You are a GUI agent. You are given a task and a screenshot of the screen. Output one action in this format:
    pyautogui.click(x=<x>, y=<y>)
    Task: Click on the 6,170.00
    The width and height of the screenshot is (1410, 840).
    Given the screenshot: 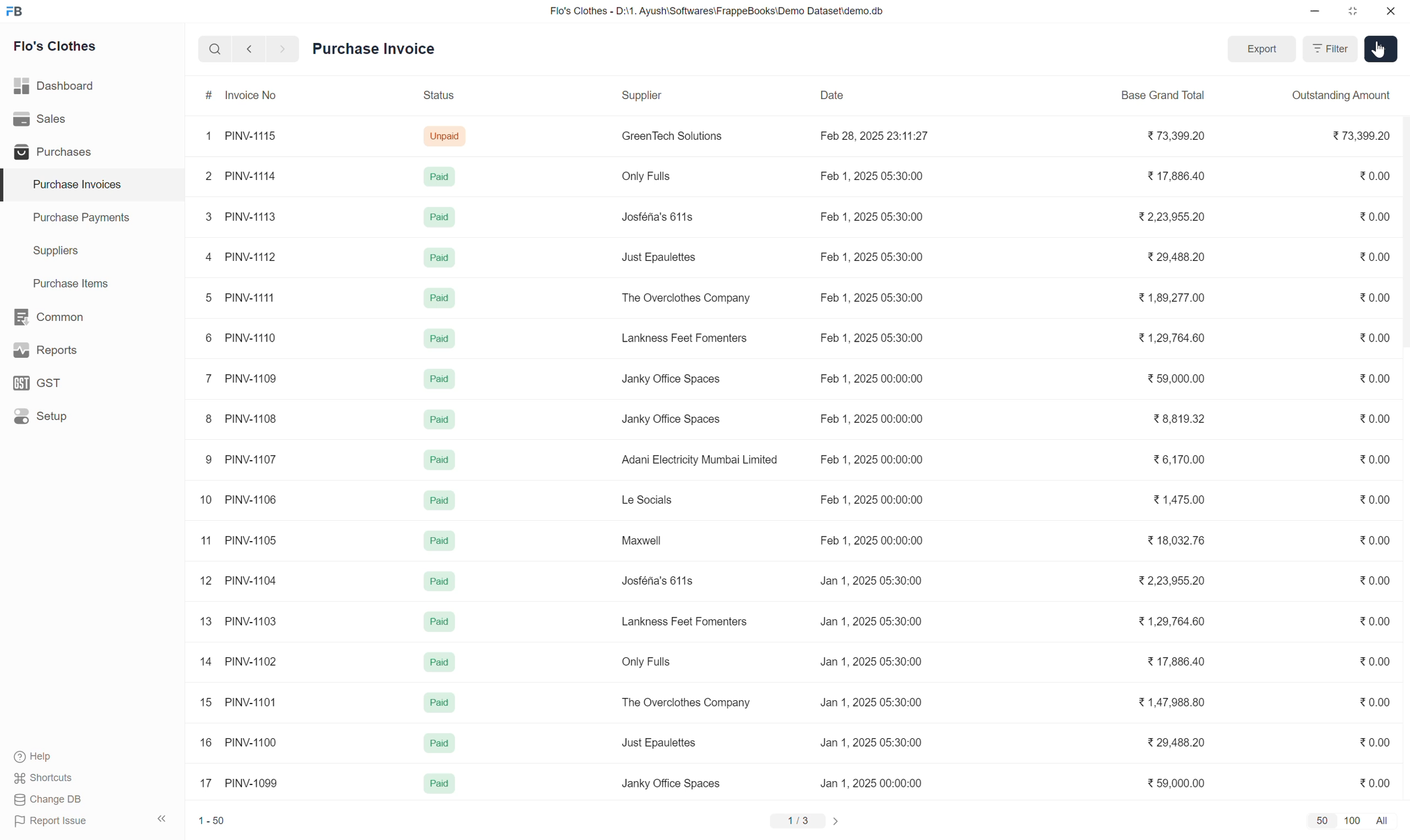 What is the action you would take?
    pyautogui.click(x=1185, y=461)
    